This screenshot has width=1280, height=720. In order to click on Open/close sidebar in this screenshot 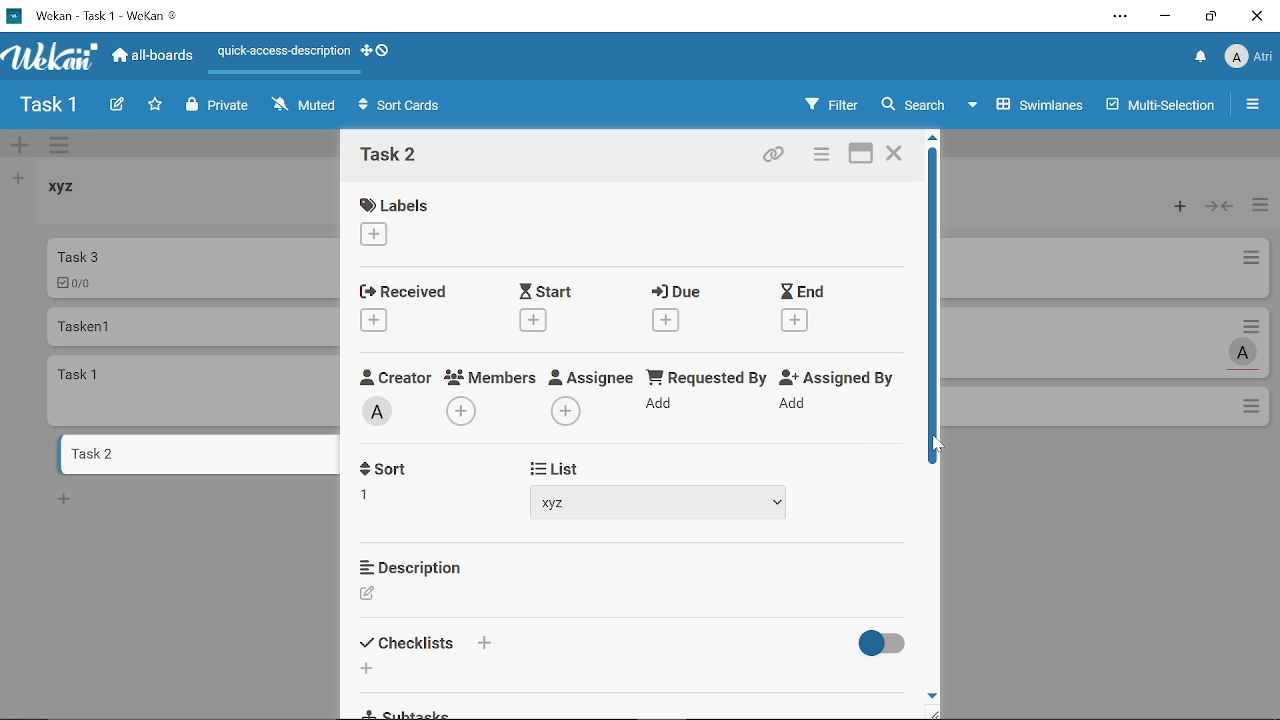, I will do `click(1255, 107)`.